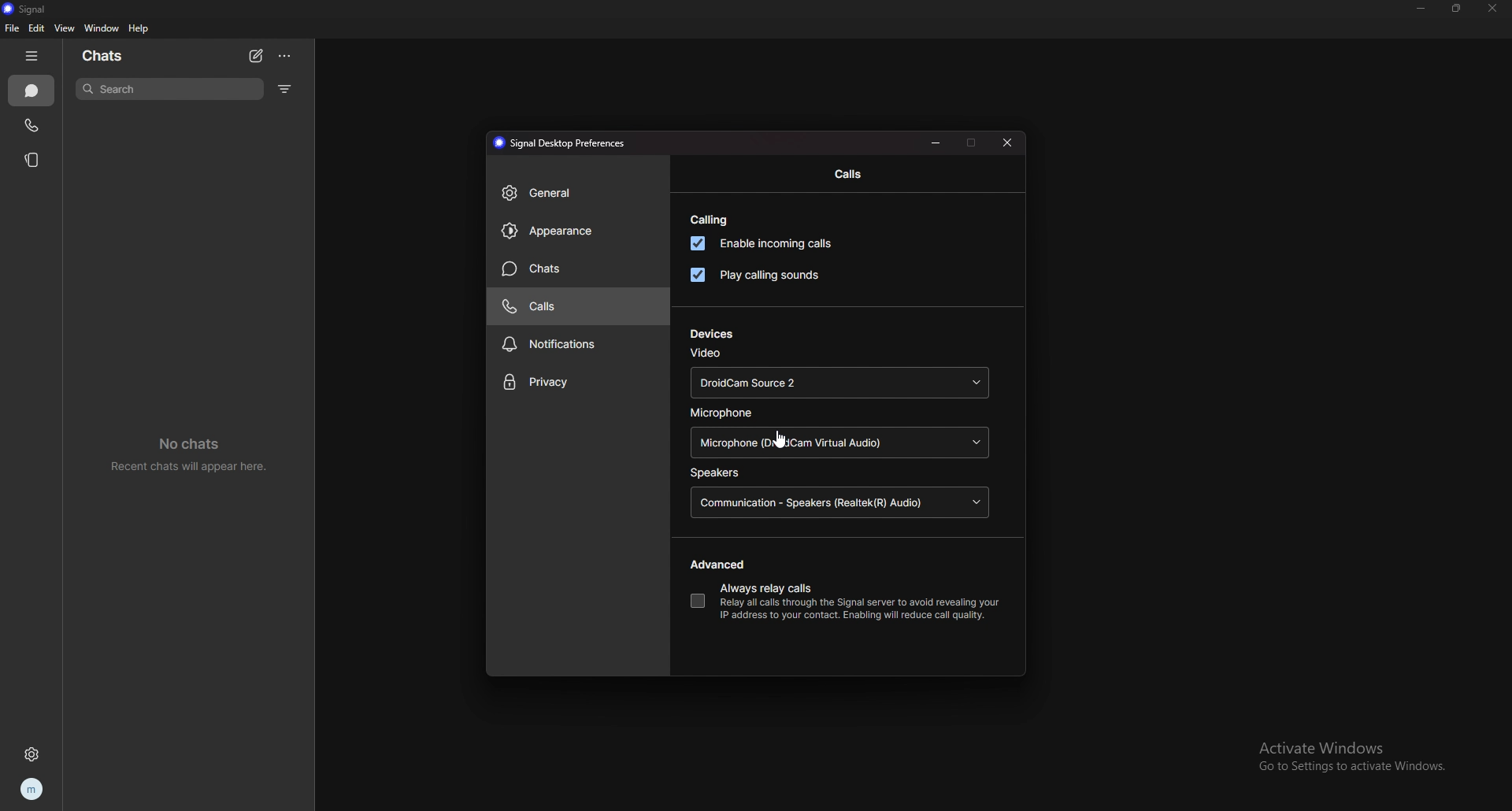  What do you see at coordinates (579, 383) in the screenshot?
I see `priavcy` at bounding box center [579, 383].